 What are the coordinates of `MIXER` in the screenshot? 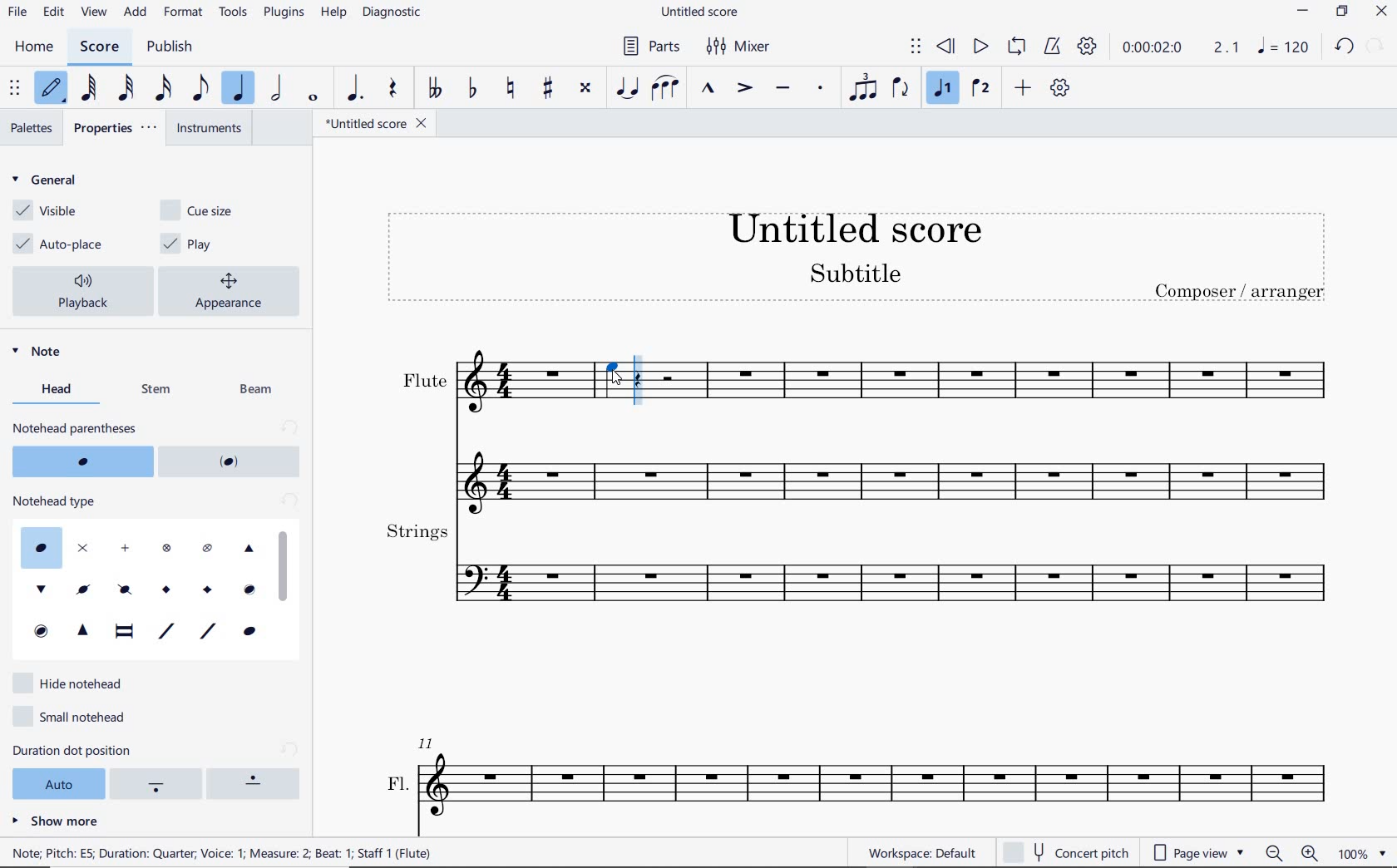 It's located at (740, 47).